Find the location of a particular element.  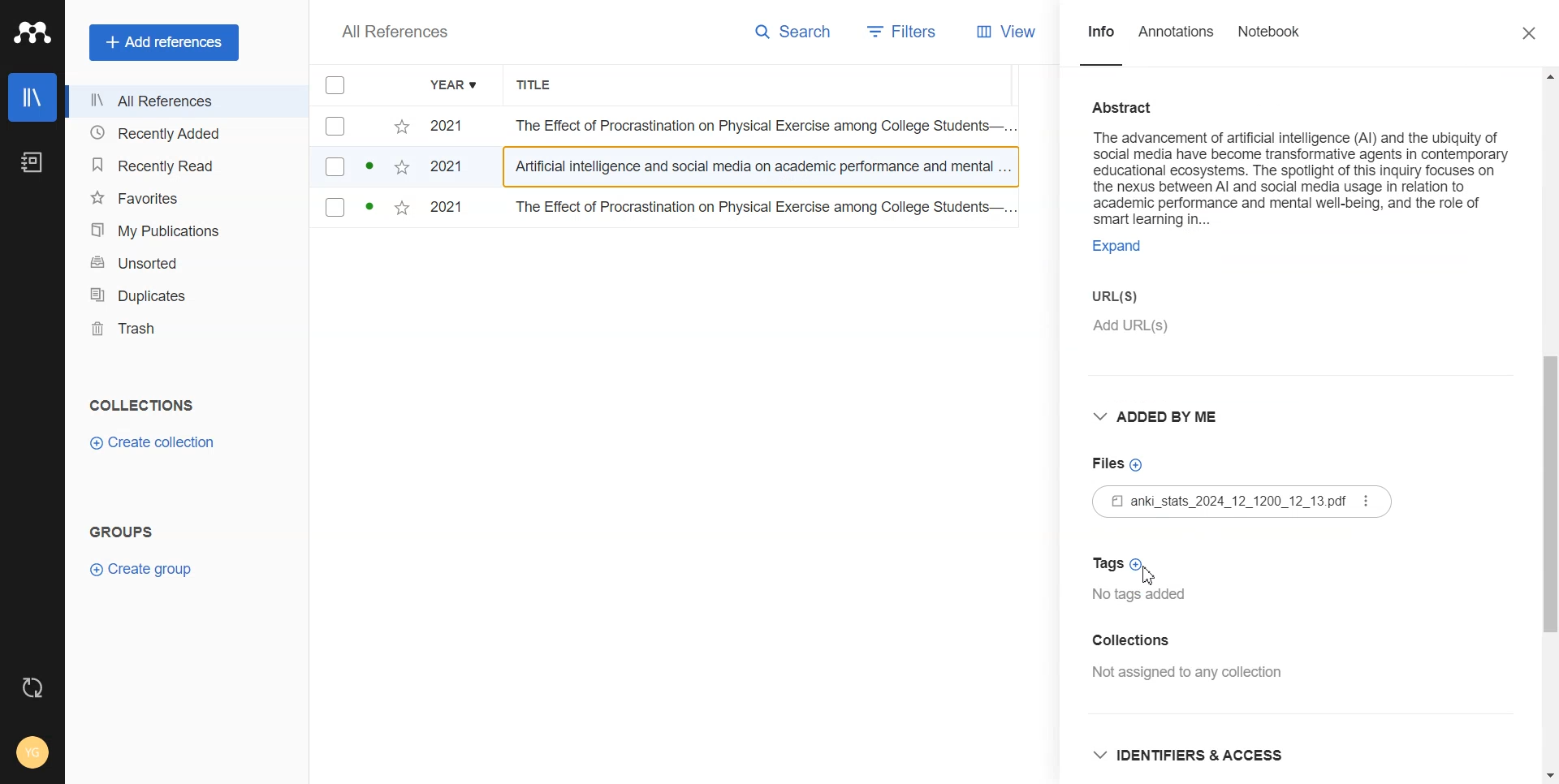

Annotations is located at coordinates (1177, 41).